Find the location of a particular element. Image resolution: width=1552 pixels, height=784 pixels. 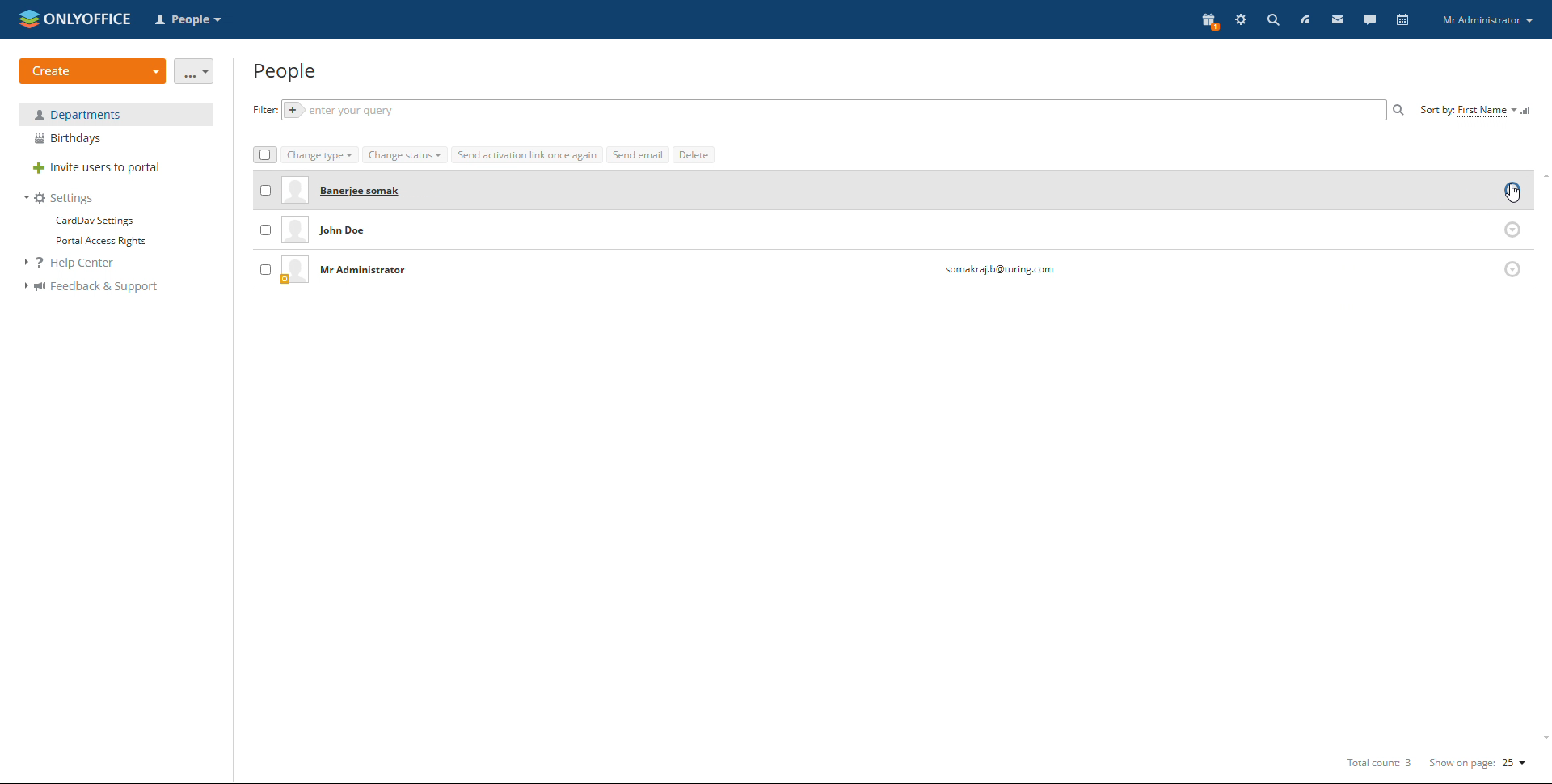

change type is located at coordinates (320, 156).